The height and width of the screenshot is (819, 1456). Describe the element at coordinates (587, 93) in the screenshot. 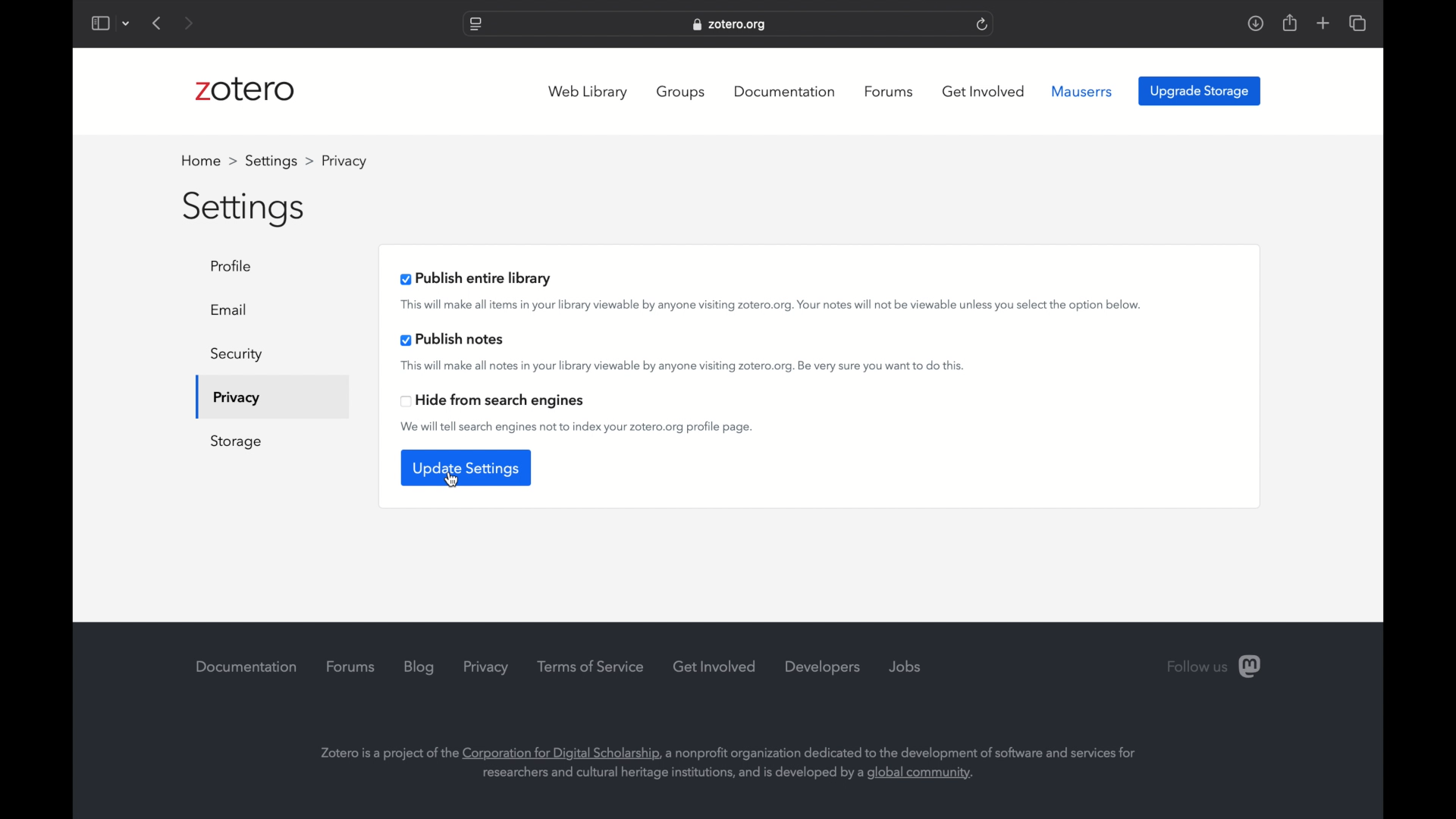

I see `web library` at that location.